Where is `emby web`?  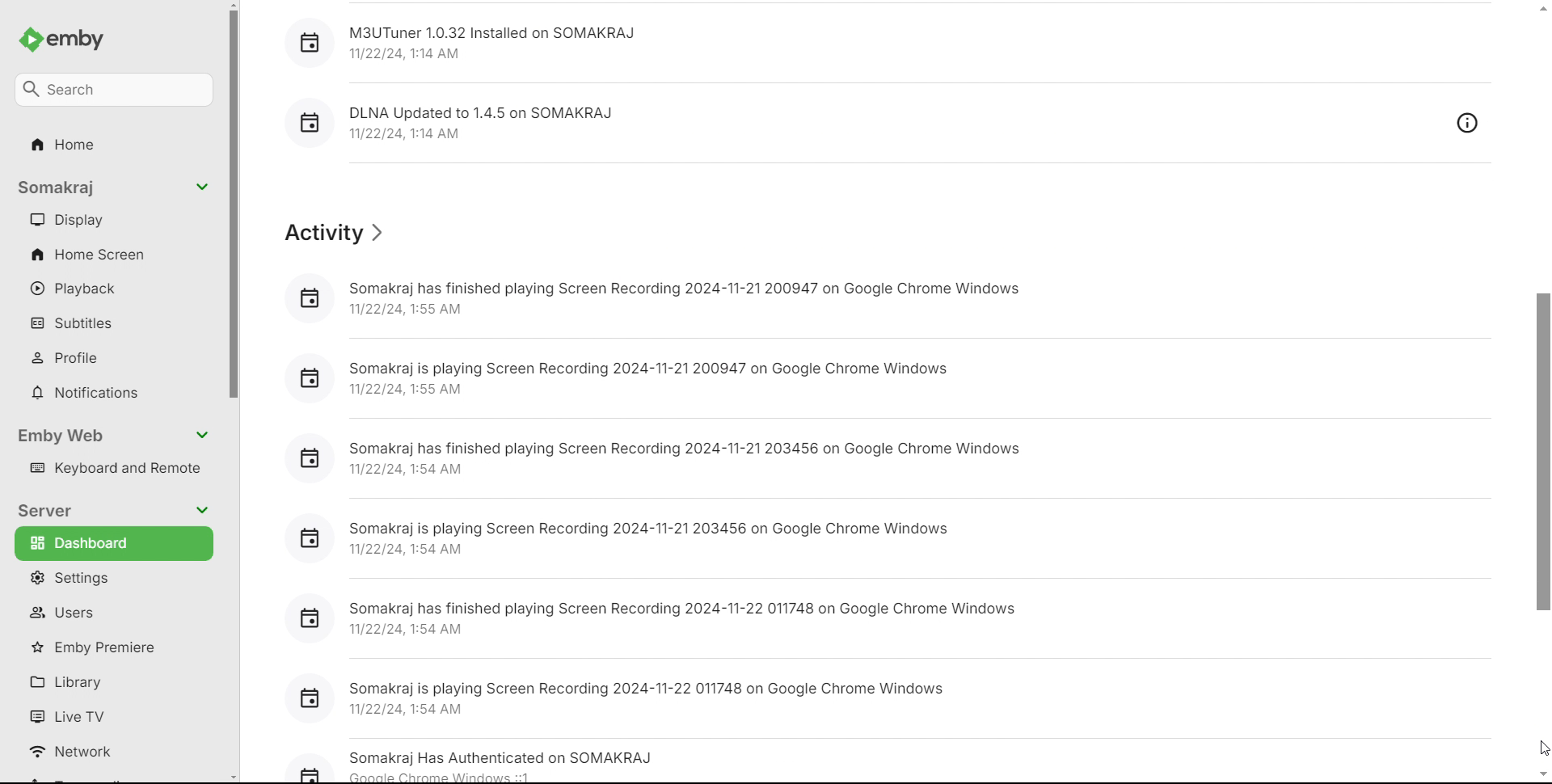
emby web is located at coordinates (115, 436).